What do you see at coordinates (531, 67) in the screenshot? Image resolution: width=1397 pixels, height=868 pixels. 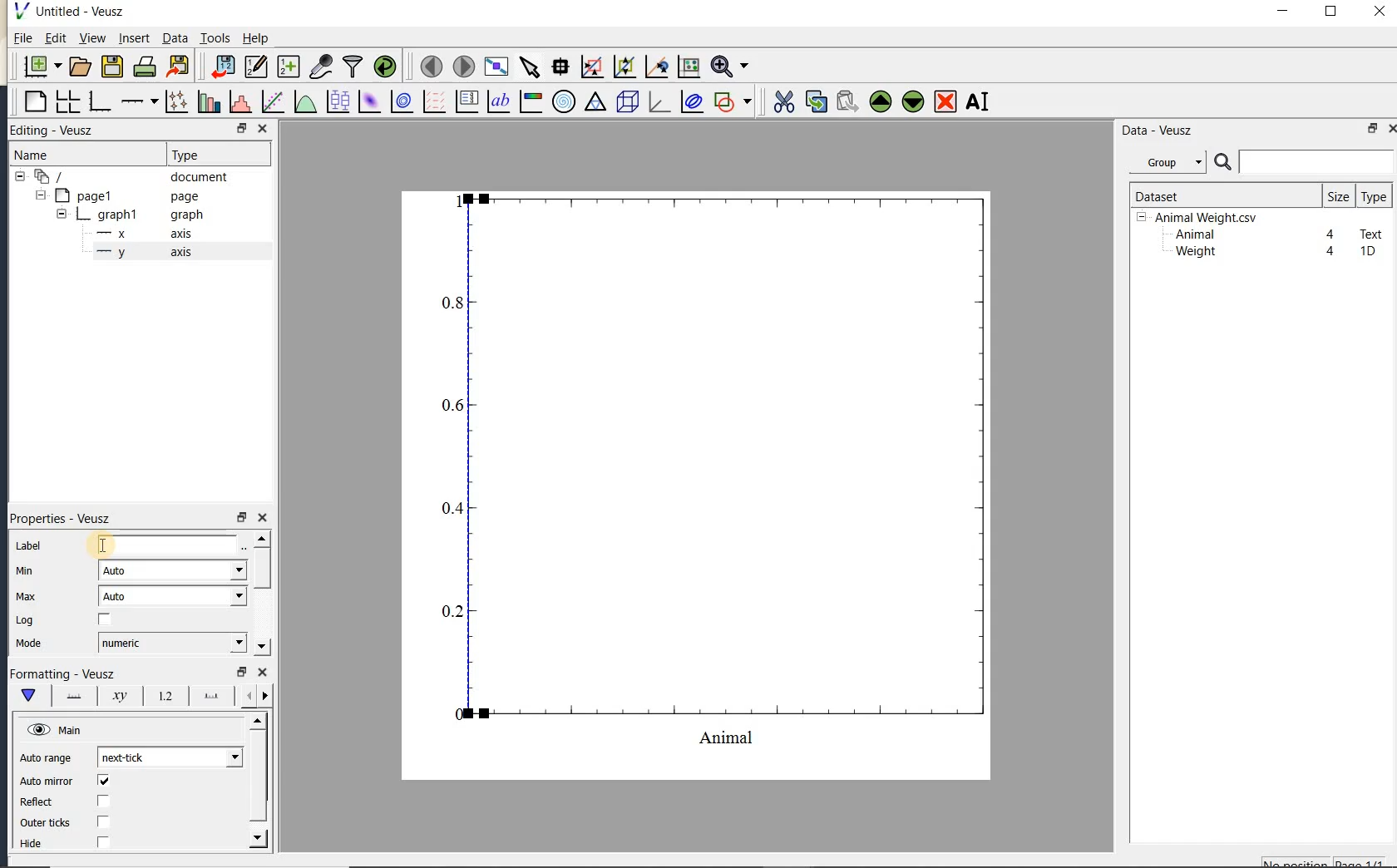 I see `select items from the graph or scroll` at bounding box center [531, 67].